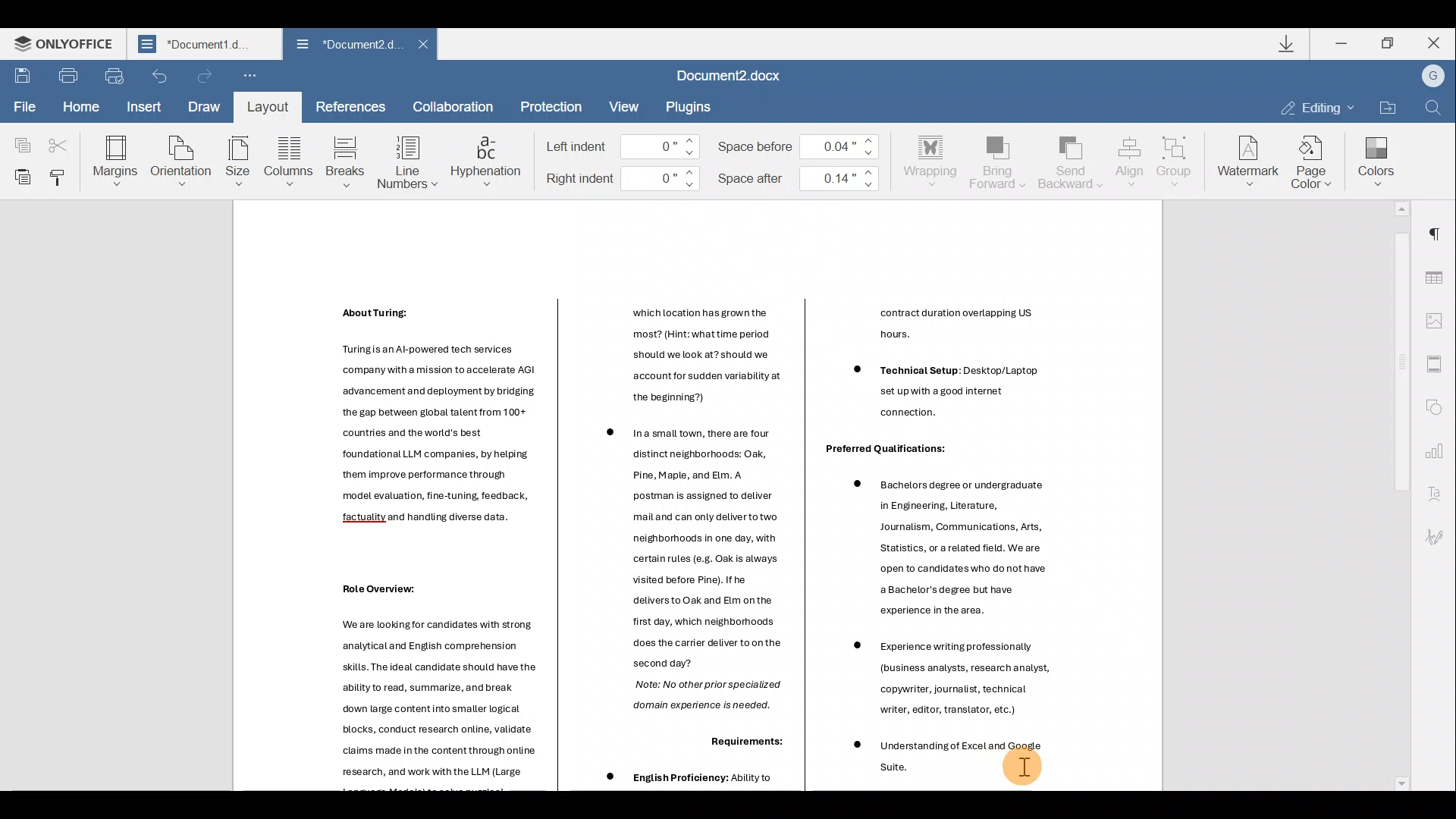 The height and width of the screenshot is (819, 1456). I want to click on Customize quick access toolbar, so click(250, 77).